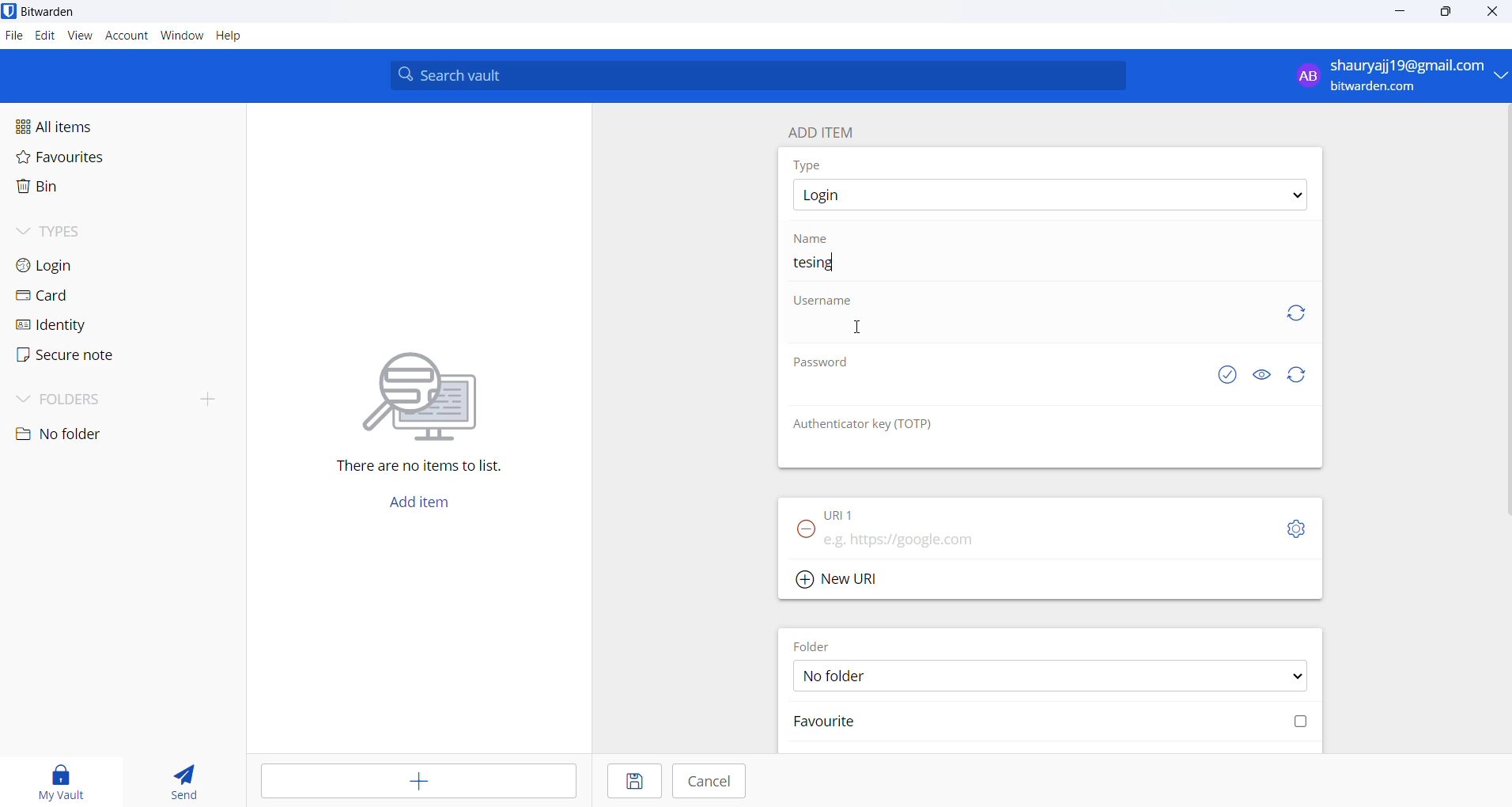  What do you see at coordinates (1443, 13) in the screenshot?
I see `maximize` at bounding box center [1443, 13].